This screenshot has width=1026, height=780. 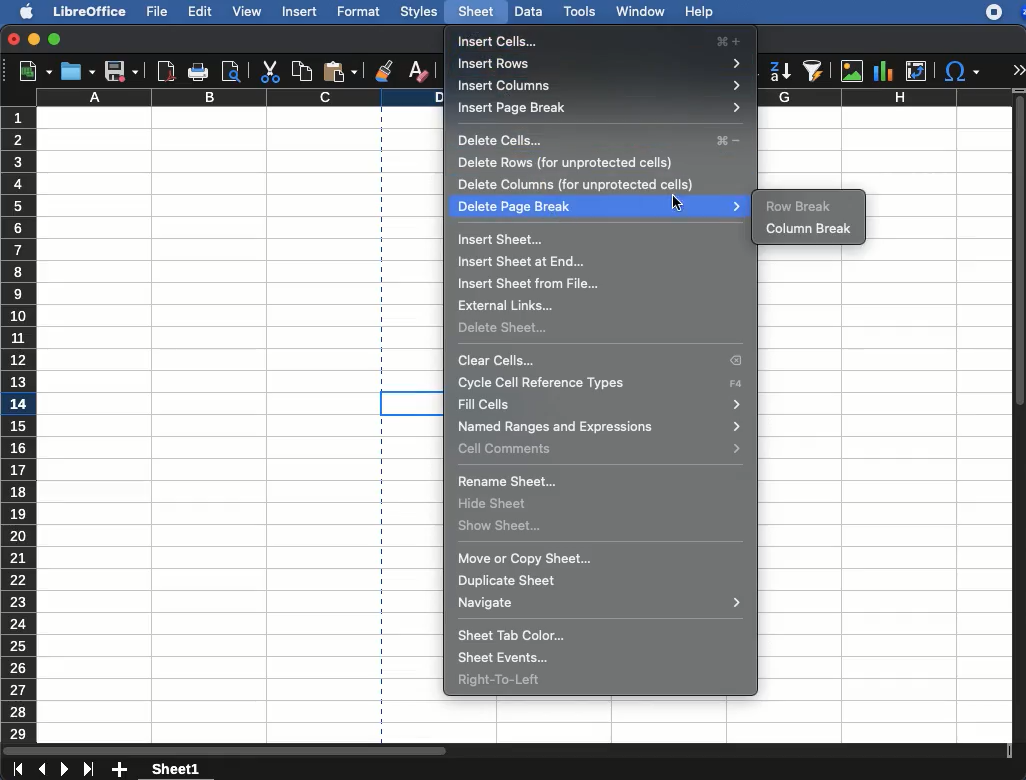 What do you see at coordinates (343, 70) in the screenshot?
I see `paste` at bounding box center [343, 70].